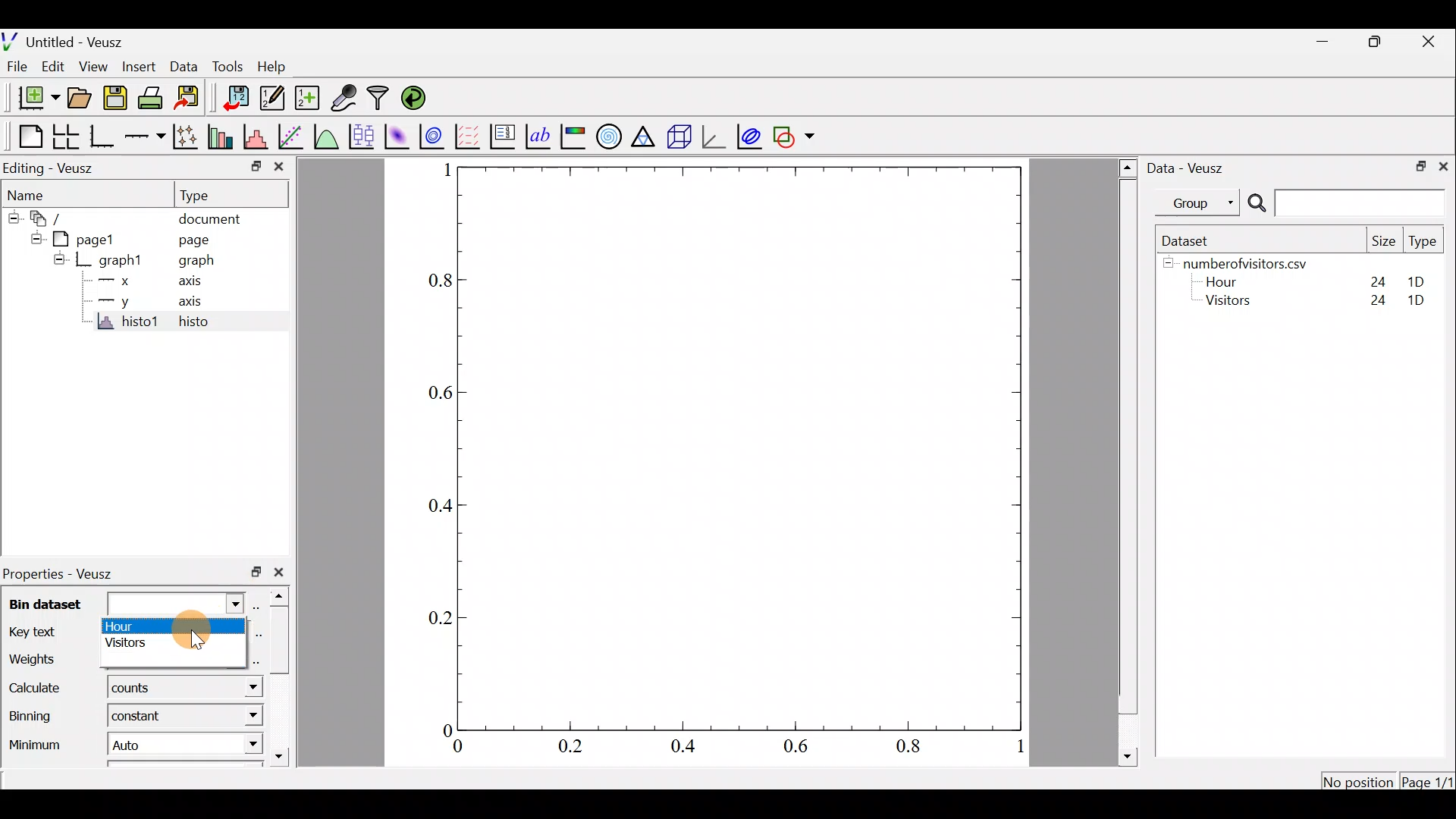  I want to click on Group, so click(1198, 205).